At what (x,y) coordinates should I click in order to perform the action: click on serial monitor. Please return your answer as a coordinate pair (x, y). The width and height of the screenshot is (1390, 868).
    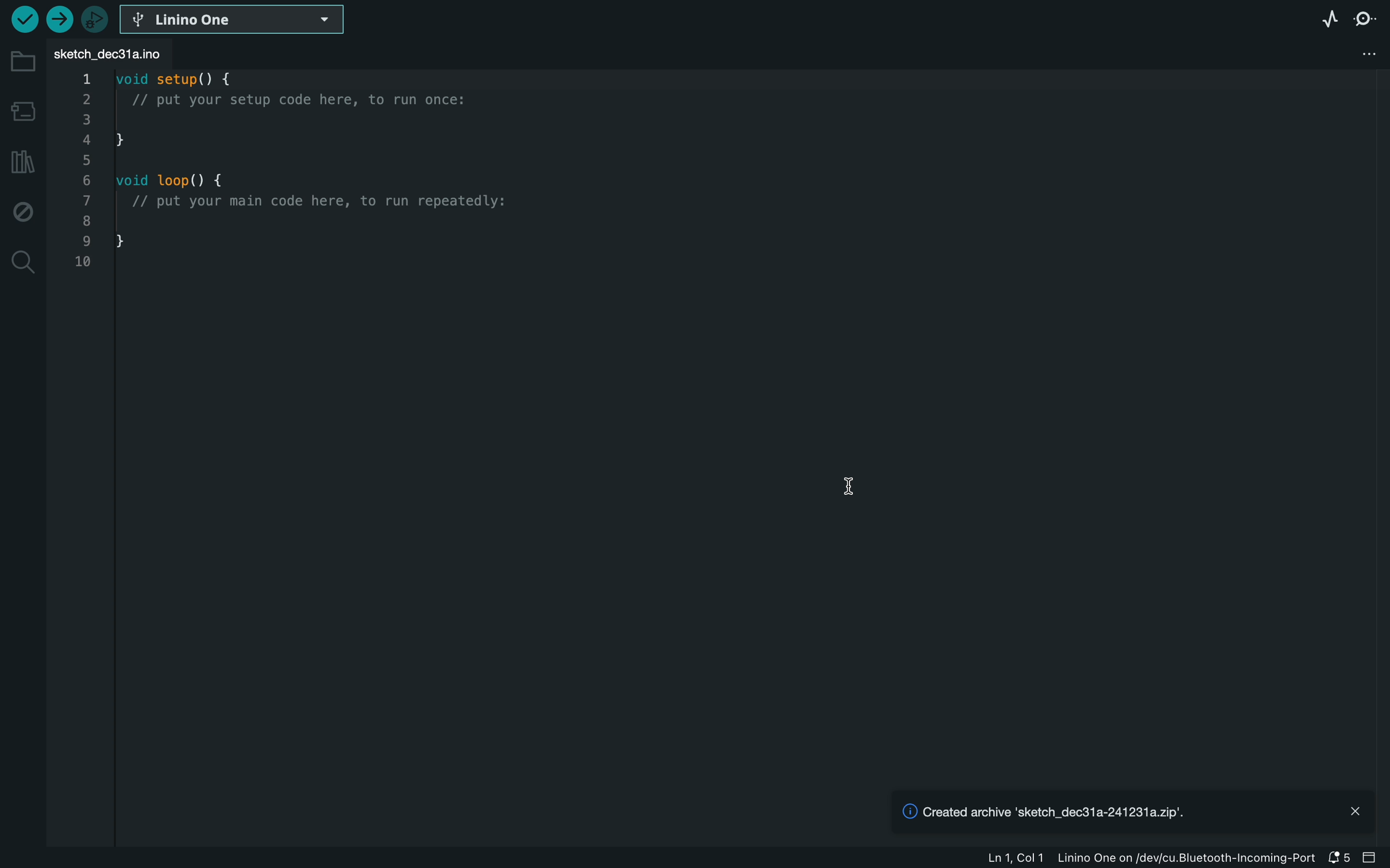
    Looking at the image, I should click on (1369, 19).